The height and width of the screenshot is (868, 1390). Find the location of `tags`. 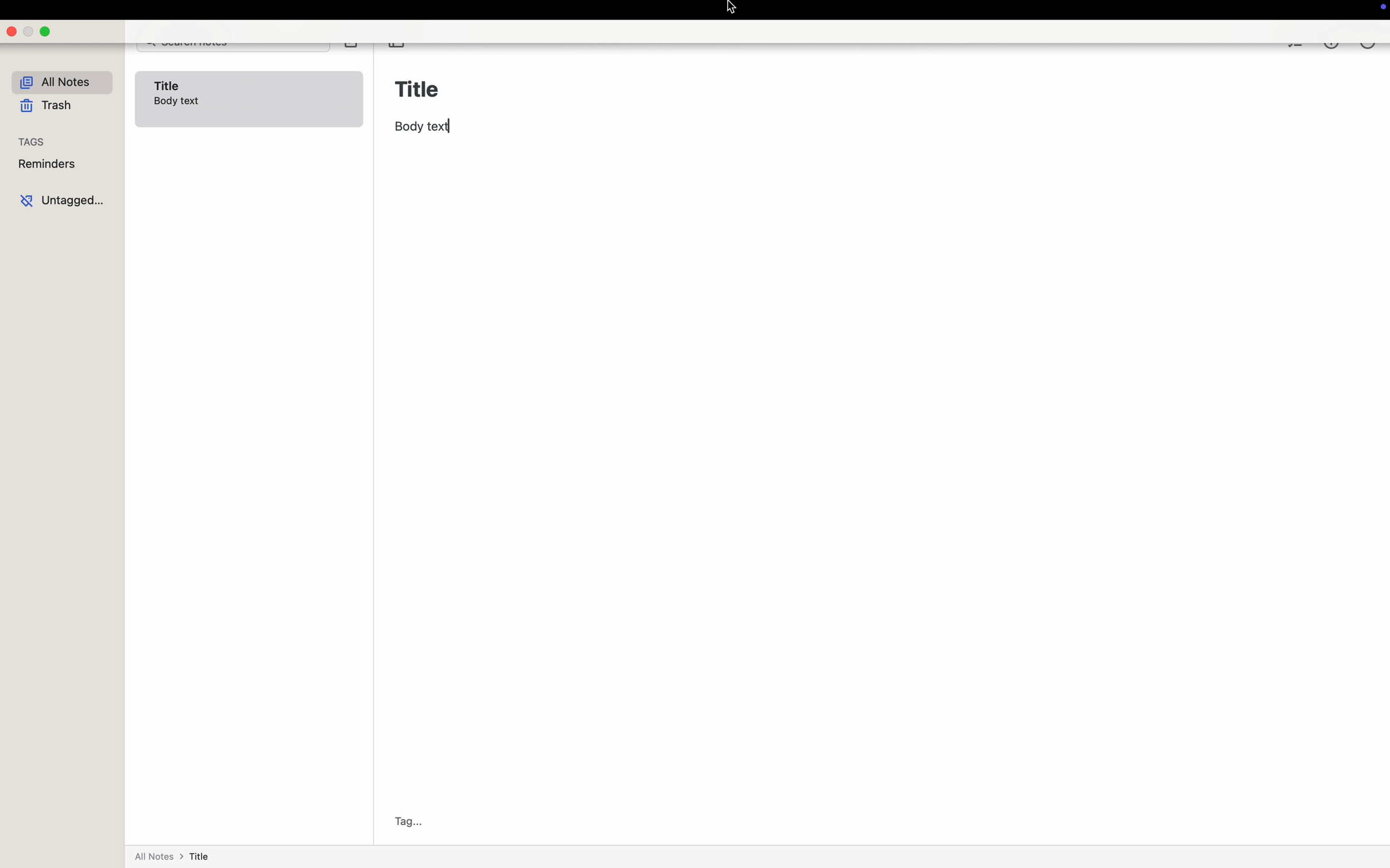

tags is located at coordinates (61, 142).